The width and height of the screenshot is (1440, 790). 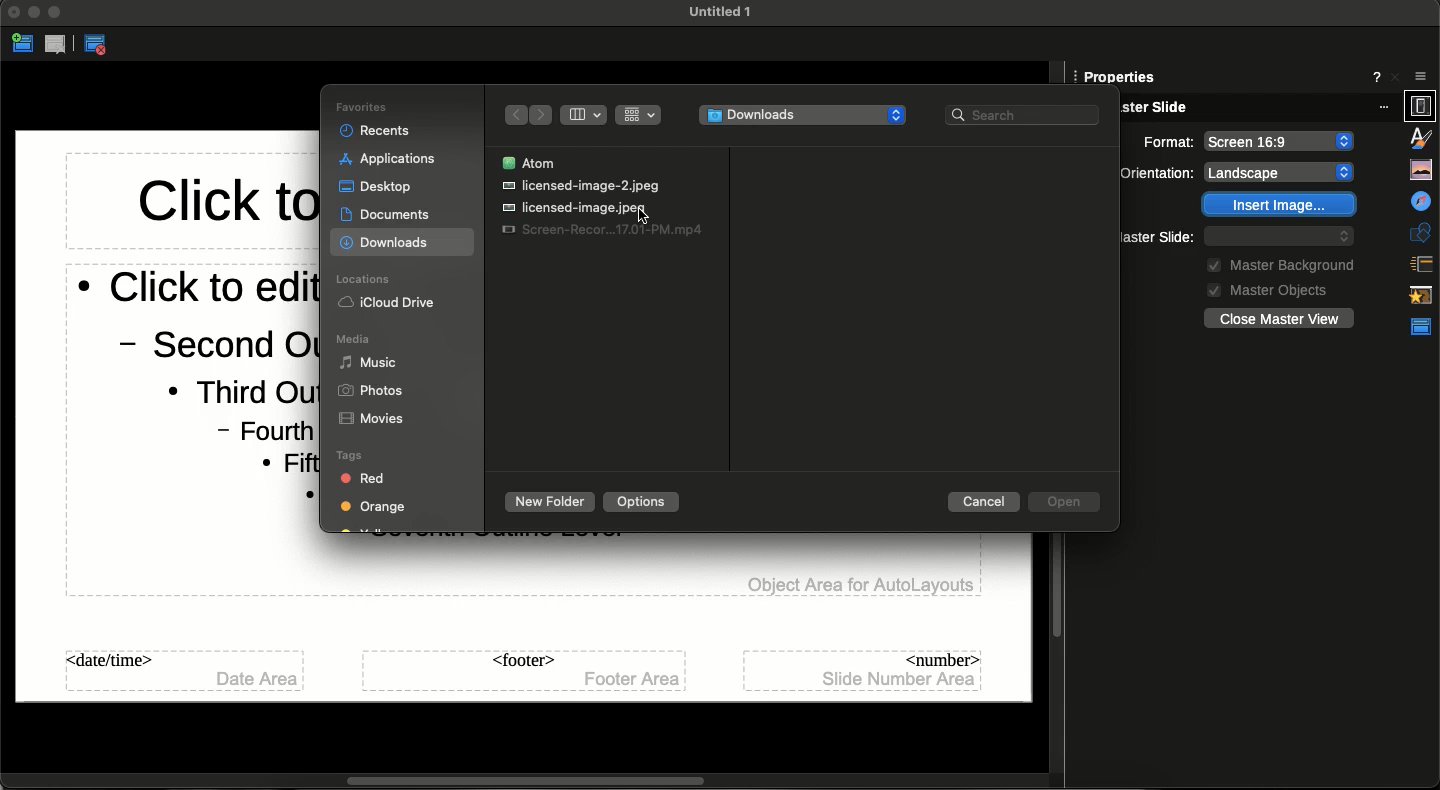 I want to click on Orange, so click(x=372, y=508).